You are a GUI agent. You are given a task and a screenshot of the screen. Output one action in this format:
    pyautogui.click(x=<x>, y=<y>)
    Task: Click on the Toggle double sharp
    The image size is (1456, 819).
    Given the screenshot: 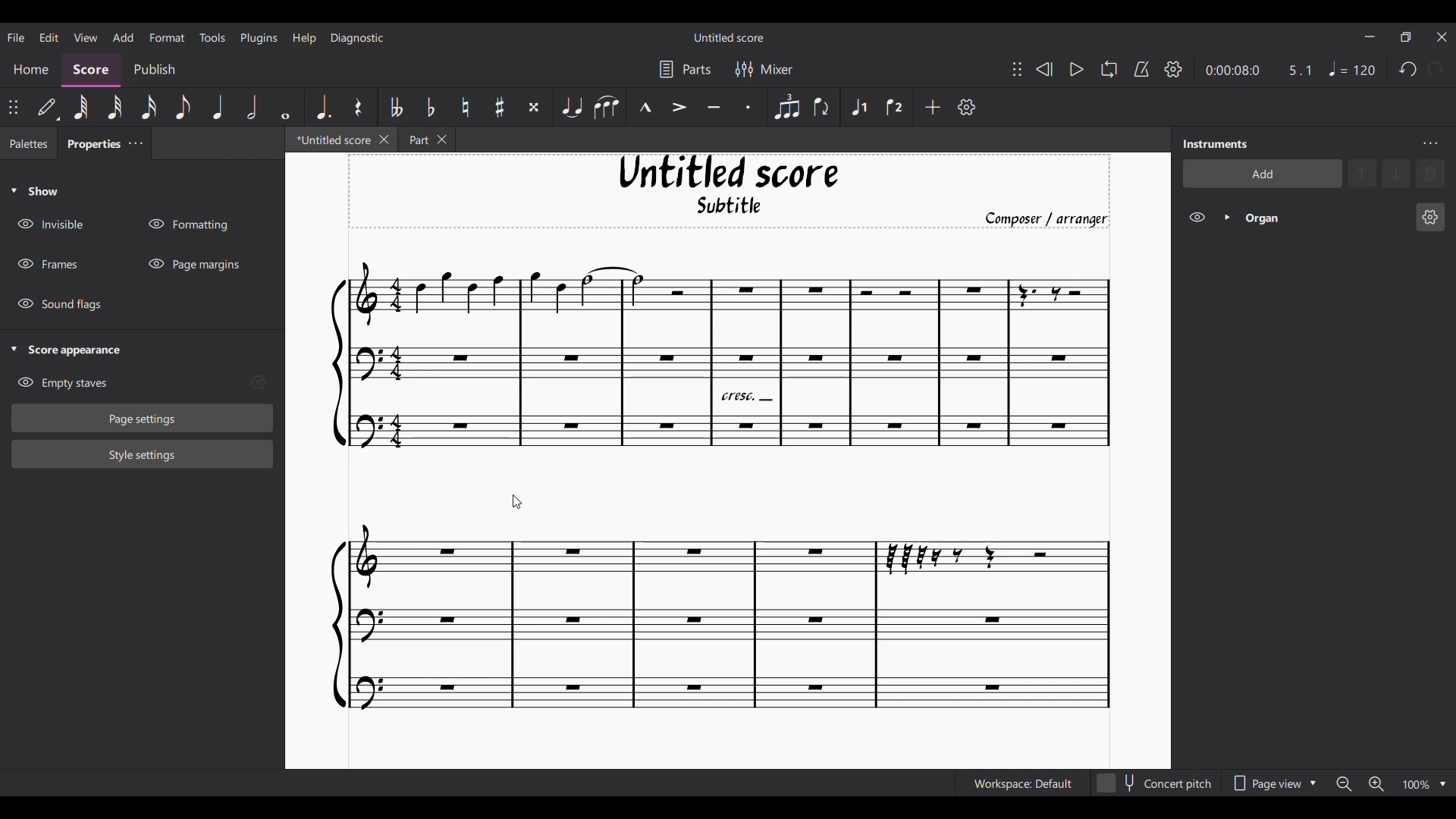 What is the action you would take?
    pyautogui.click(x=534, y=108)
    